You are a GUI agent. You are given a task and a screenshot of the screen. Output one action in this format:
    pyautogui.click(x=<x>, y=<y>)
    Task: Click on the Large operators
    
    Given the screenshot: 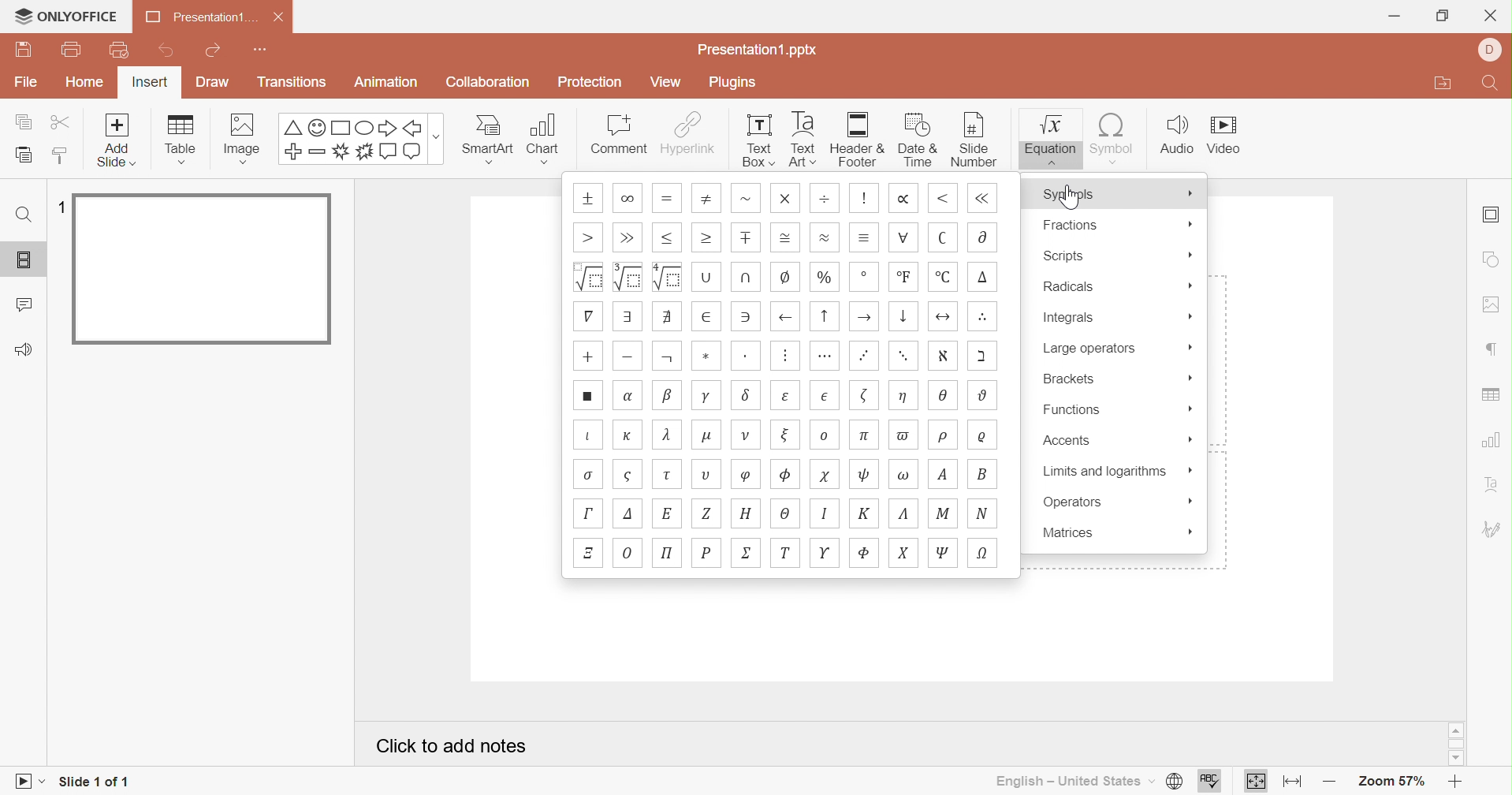 What is the action you would take?
    pyautogui.click(x=1114, y=347)
    